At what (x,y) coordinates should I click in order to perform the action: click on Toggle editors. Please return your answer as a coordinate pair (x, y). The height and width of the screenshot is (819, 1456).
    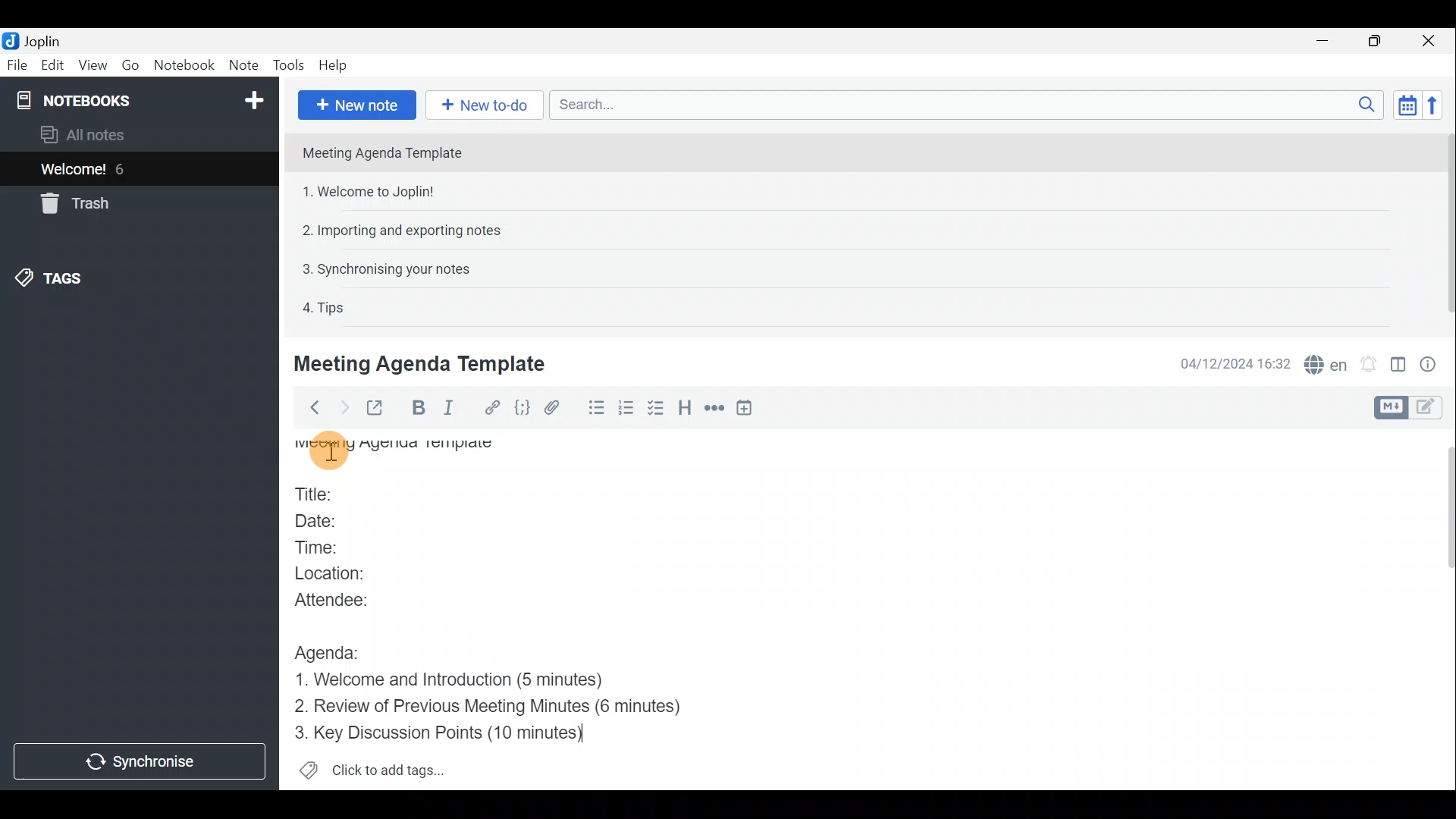
    Looking at the image, I should click on (1429, 409).